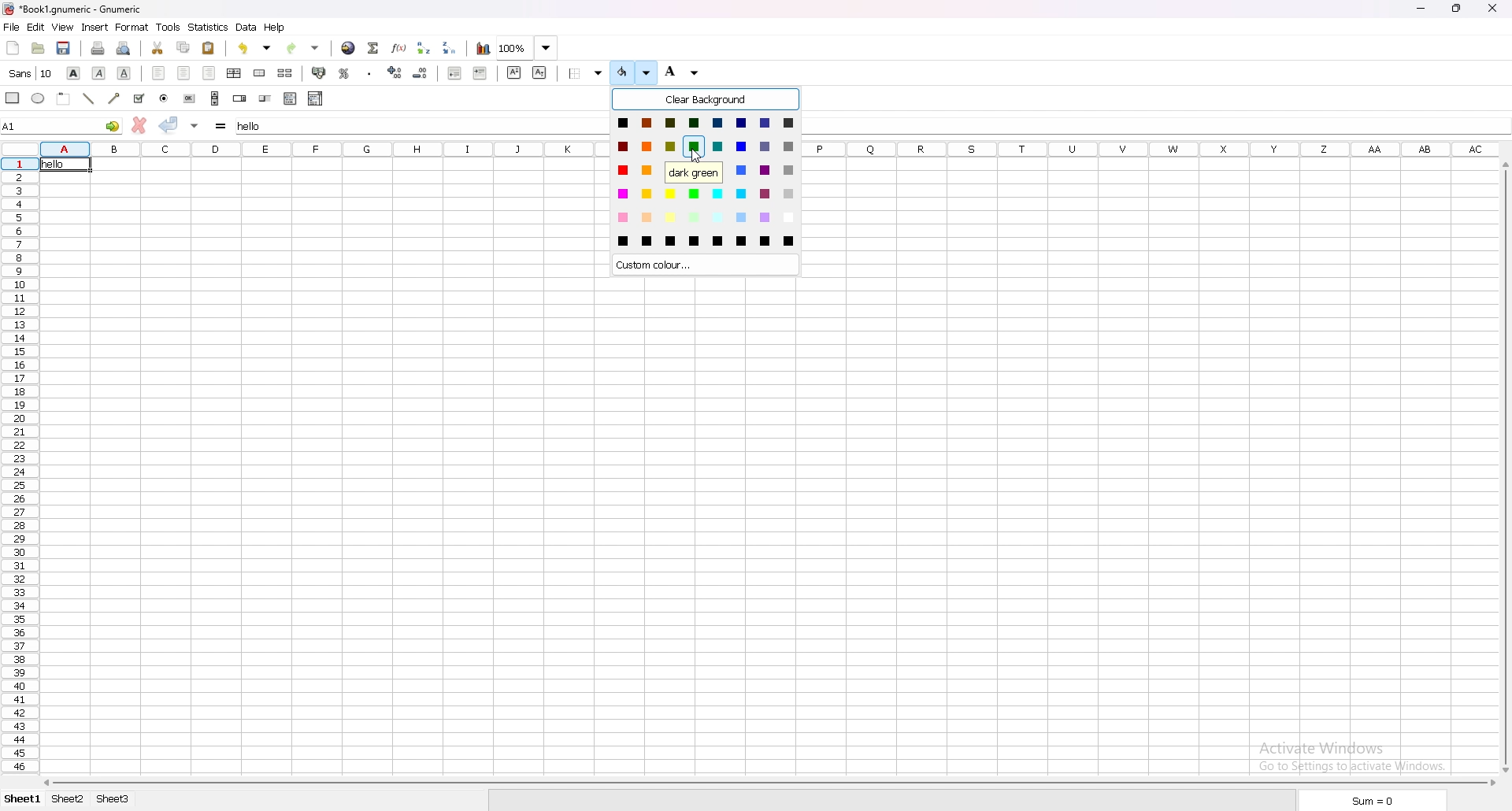 This screenshot has height=811, width=1512. Describe the element at coordinates (164, 98) in the screenshot. I see `radio button` at that location.